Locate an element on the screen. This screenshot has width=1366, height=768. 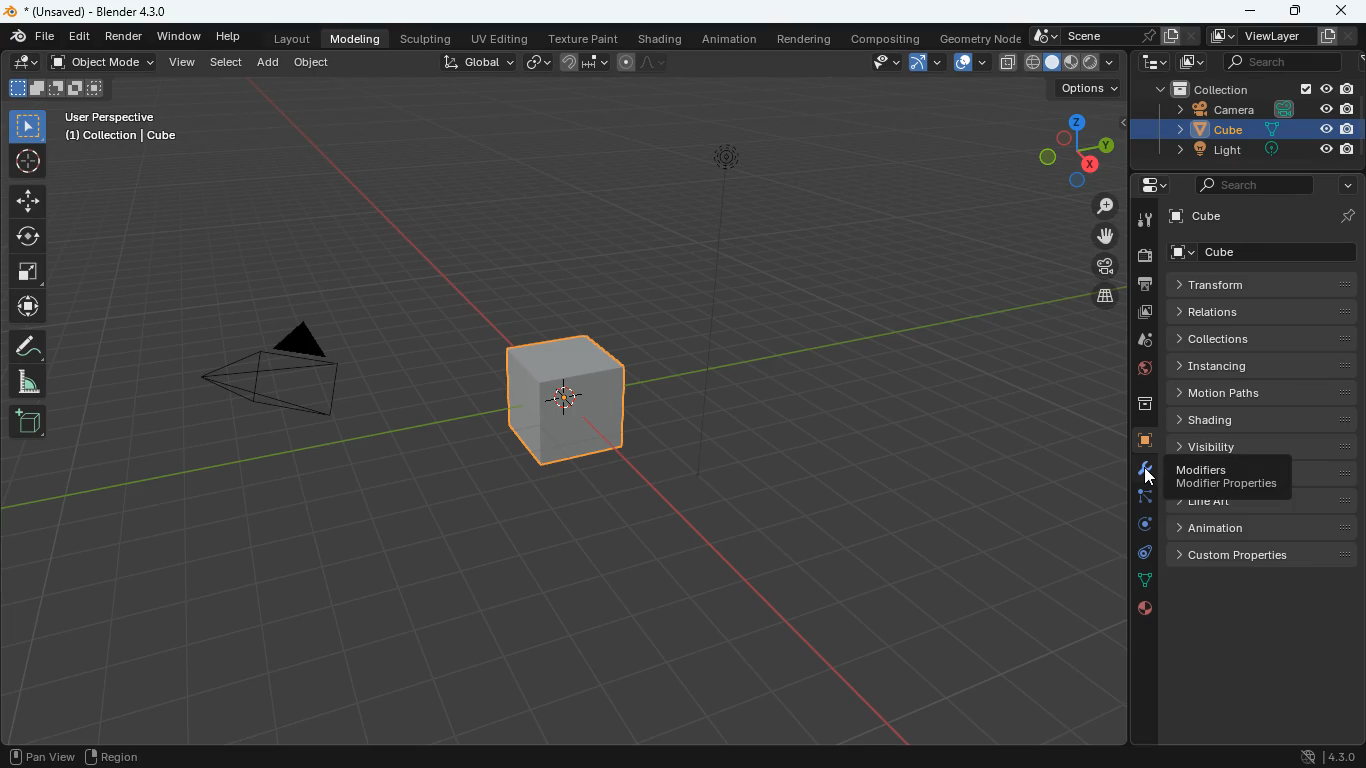
move is located at coordinates (1091, 236).